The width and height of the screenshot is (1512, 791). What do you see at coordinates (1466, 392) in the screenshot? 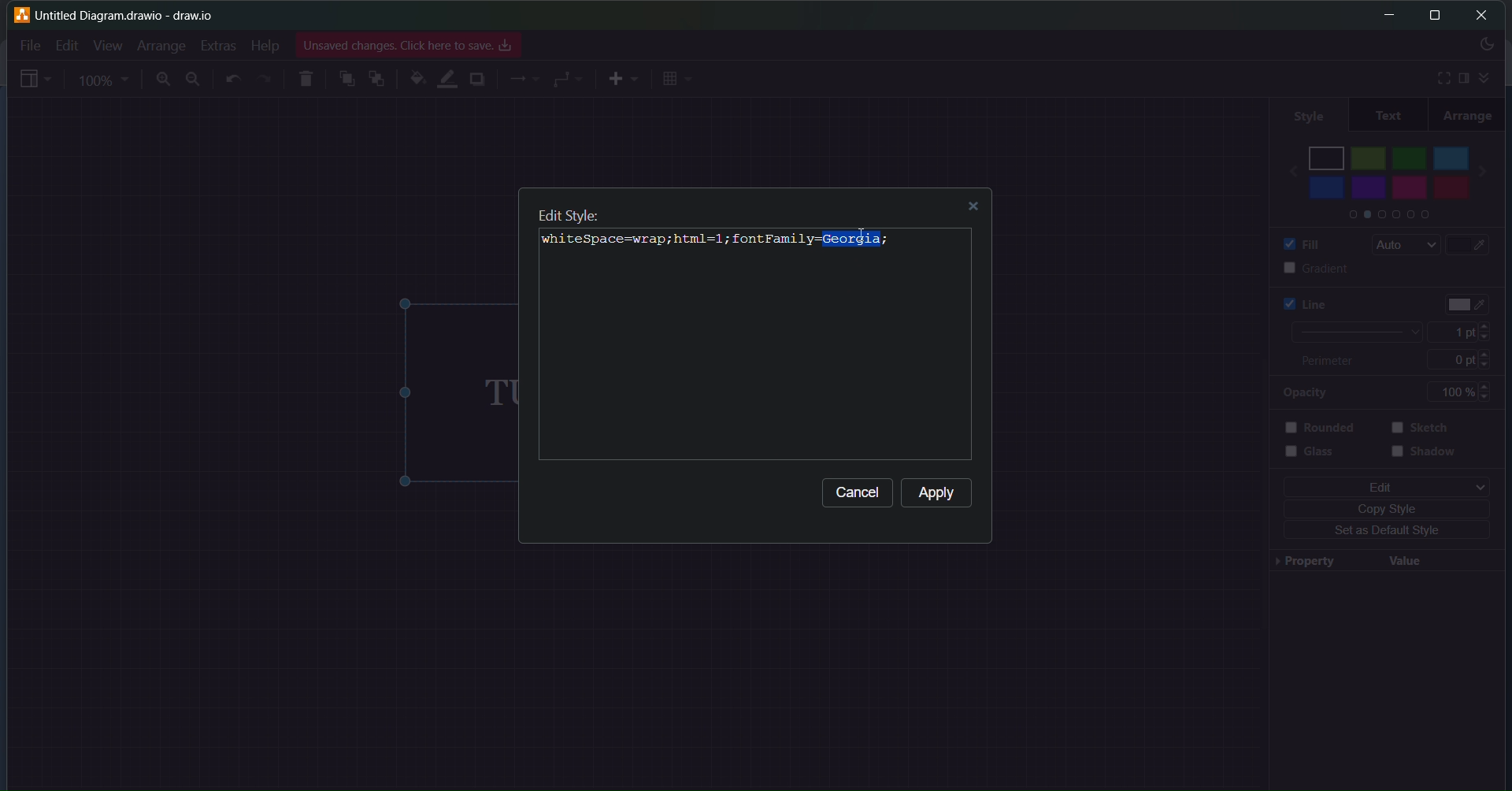
I see `100%` at bounding box center [1466, 392].